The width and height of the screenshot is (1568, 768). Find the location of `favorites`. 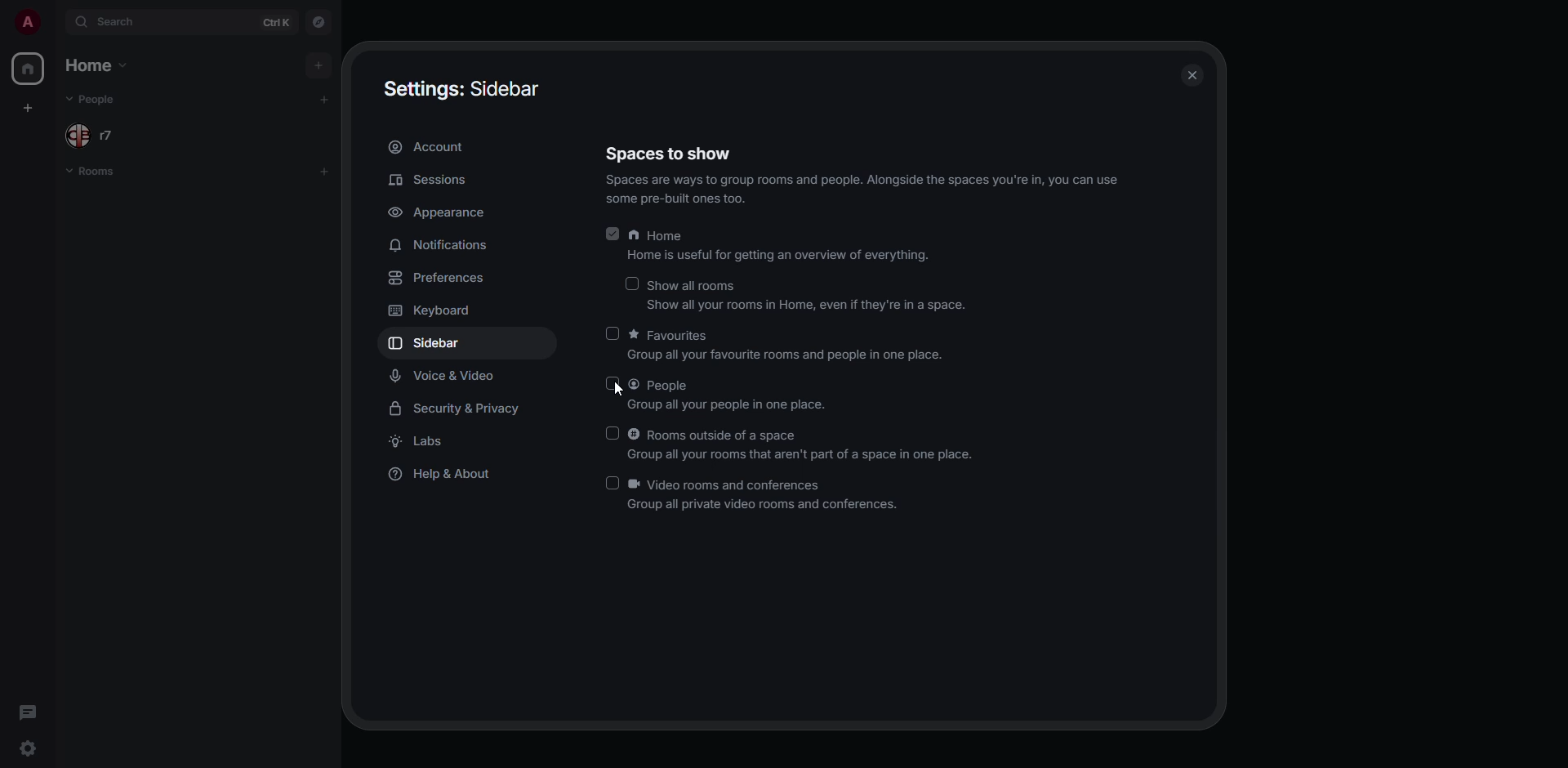

favorites is located at coordinates (795, 345).